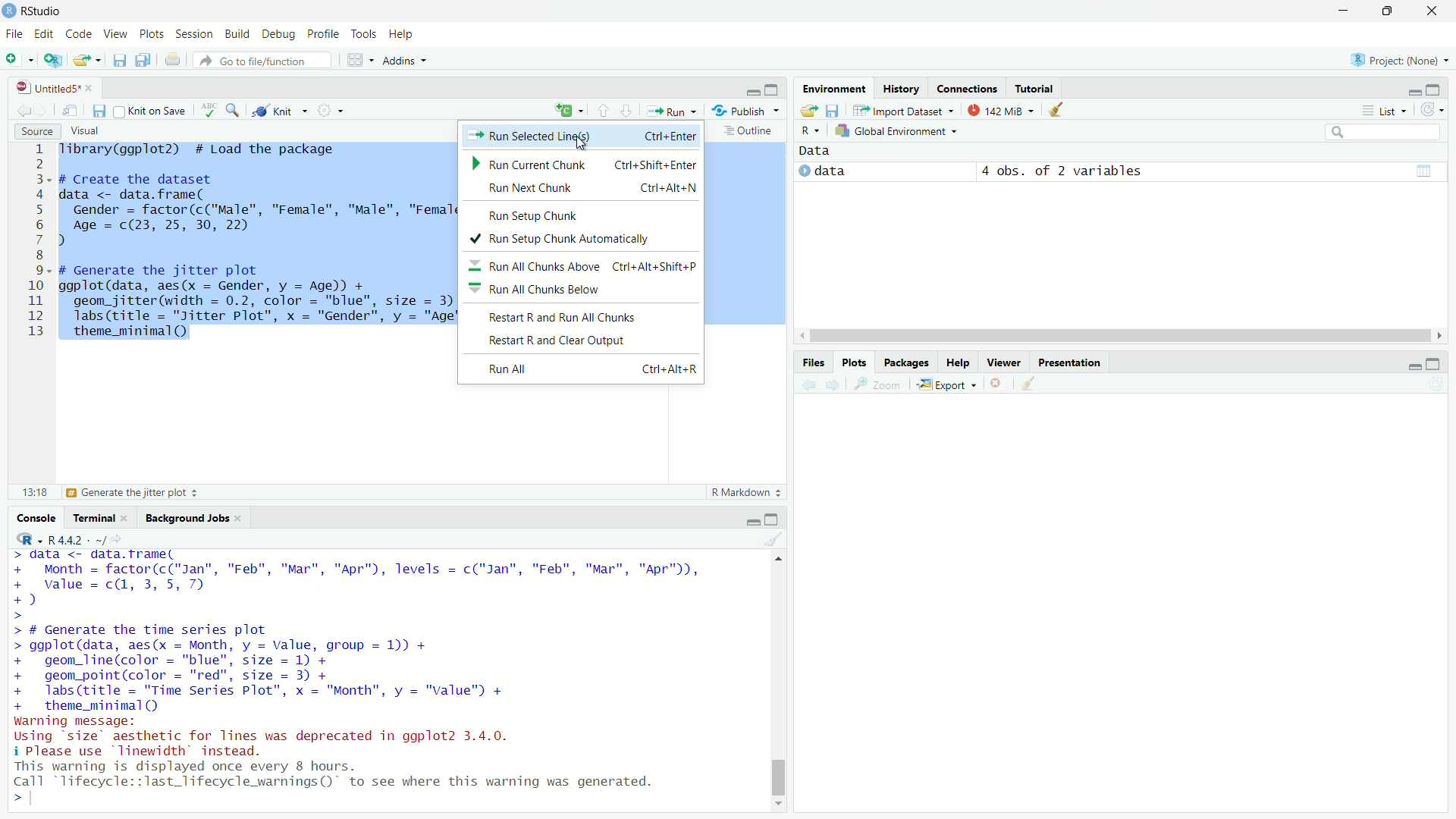  I want to click on save current document, so click(120, 59).